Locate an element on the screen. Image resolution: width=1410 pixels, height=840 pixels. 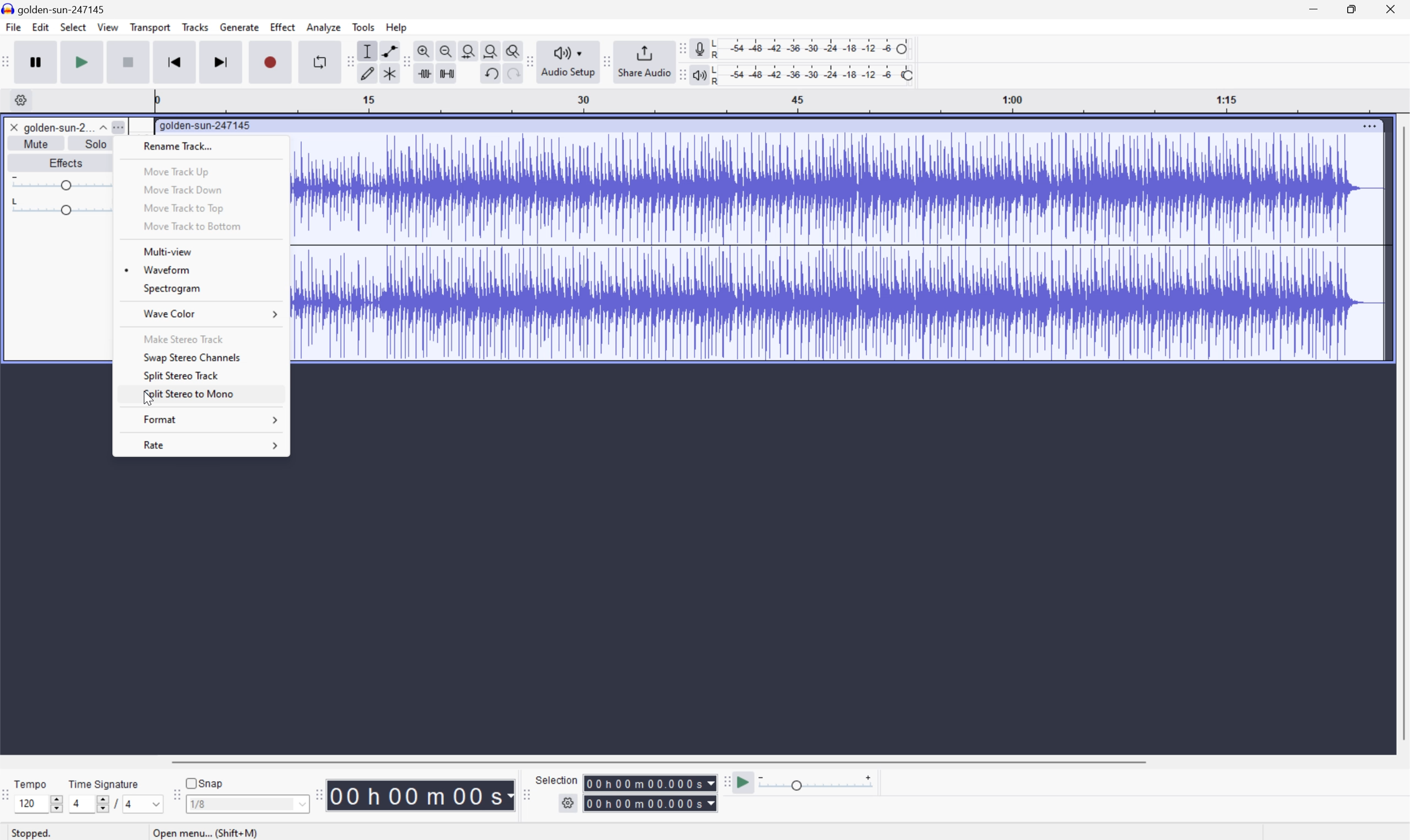
Make Stereo track is located at coordinates (182, 337).